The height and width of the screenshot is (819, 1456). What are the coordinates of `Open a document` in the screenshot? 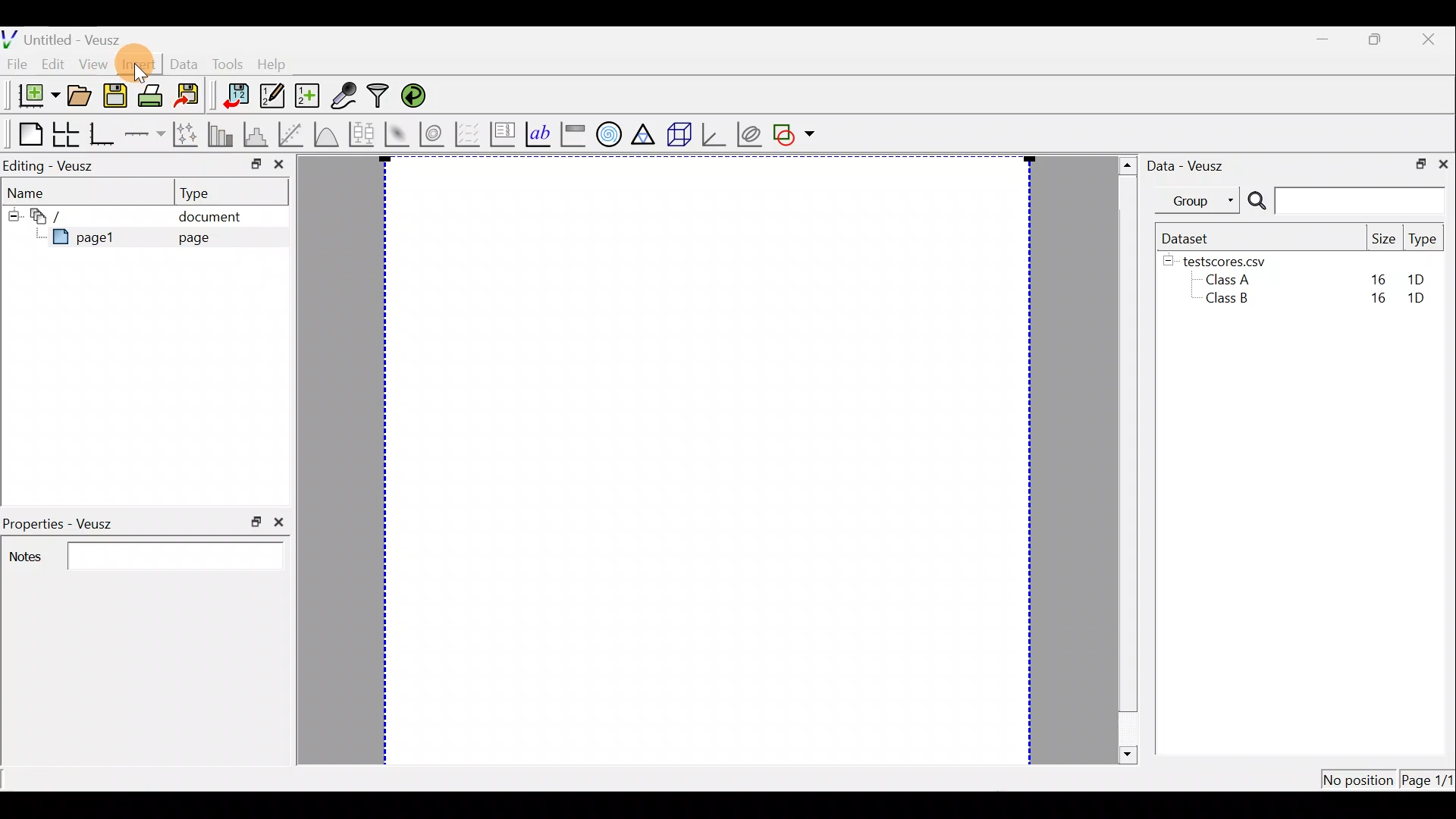 It's located at (79, 94).